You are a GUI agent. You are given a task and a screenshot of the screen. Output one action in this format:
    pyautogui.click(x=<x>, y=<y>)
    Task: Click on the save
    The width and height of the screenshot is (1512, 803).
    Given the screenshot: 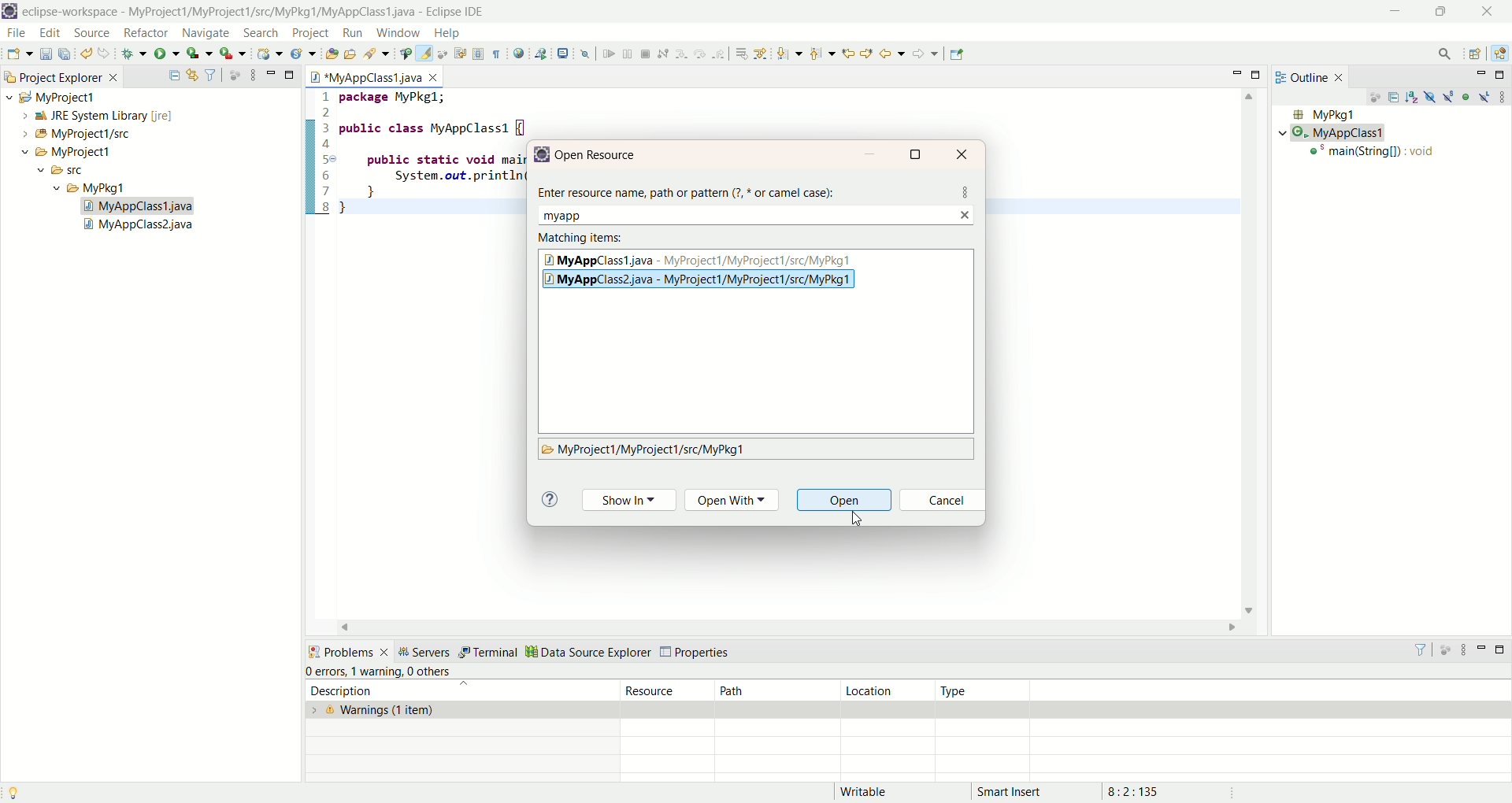 What is the action you would take?
    pyautogui.click(x=46, y=54)
    